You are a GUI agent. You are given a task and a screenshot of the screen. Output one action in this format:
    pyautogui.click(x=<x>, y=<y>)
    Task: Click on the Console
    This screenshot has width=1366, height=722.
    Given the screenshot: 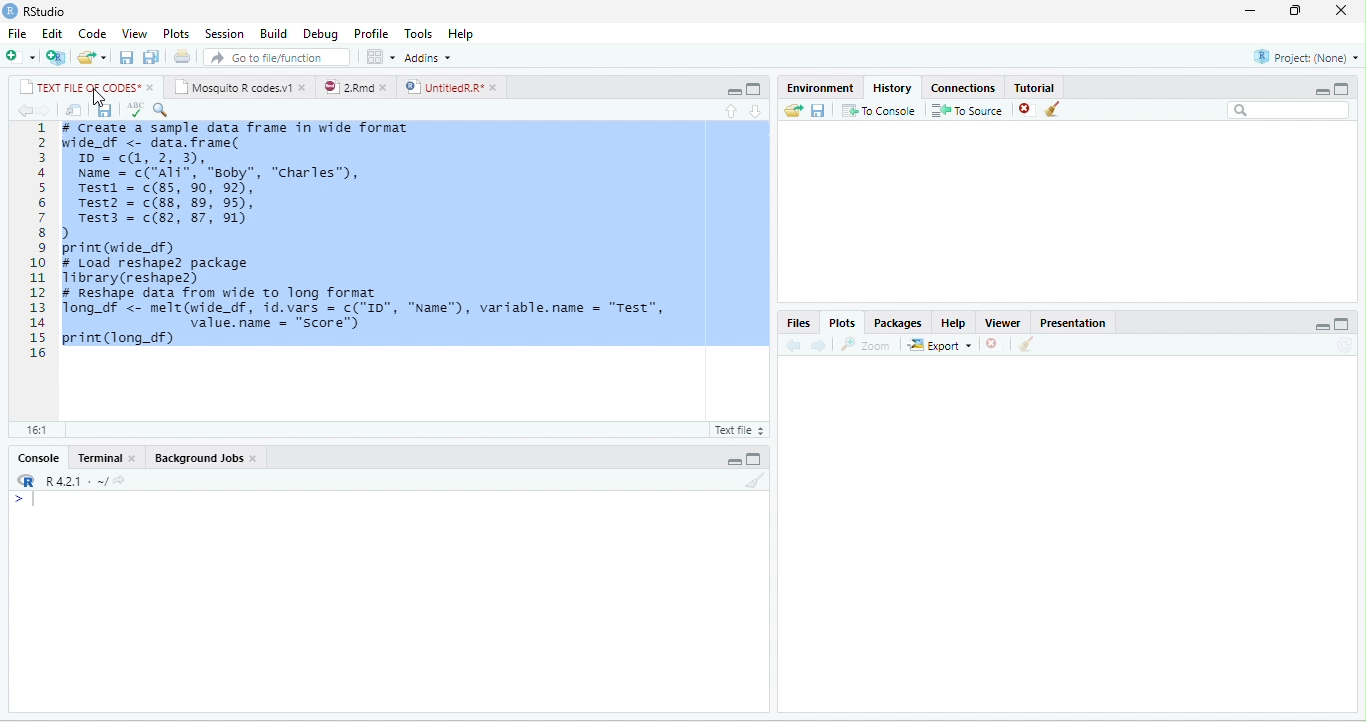 What is the action you would take?
    pyautogui.click(x=38, y=457)
    